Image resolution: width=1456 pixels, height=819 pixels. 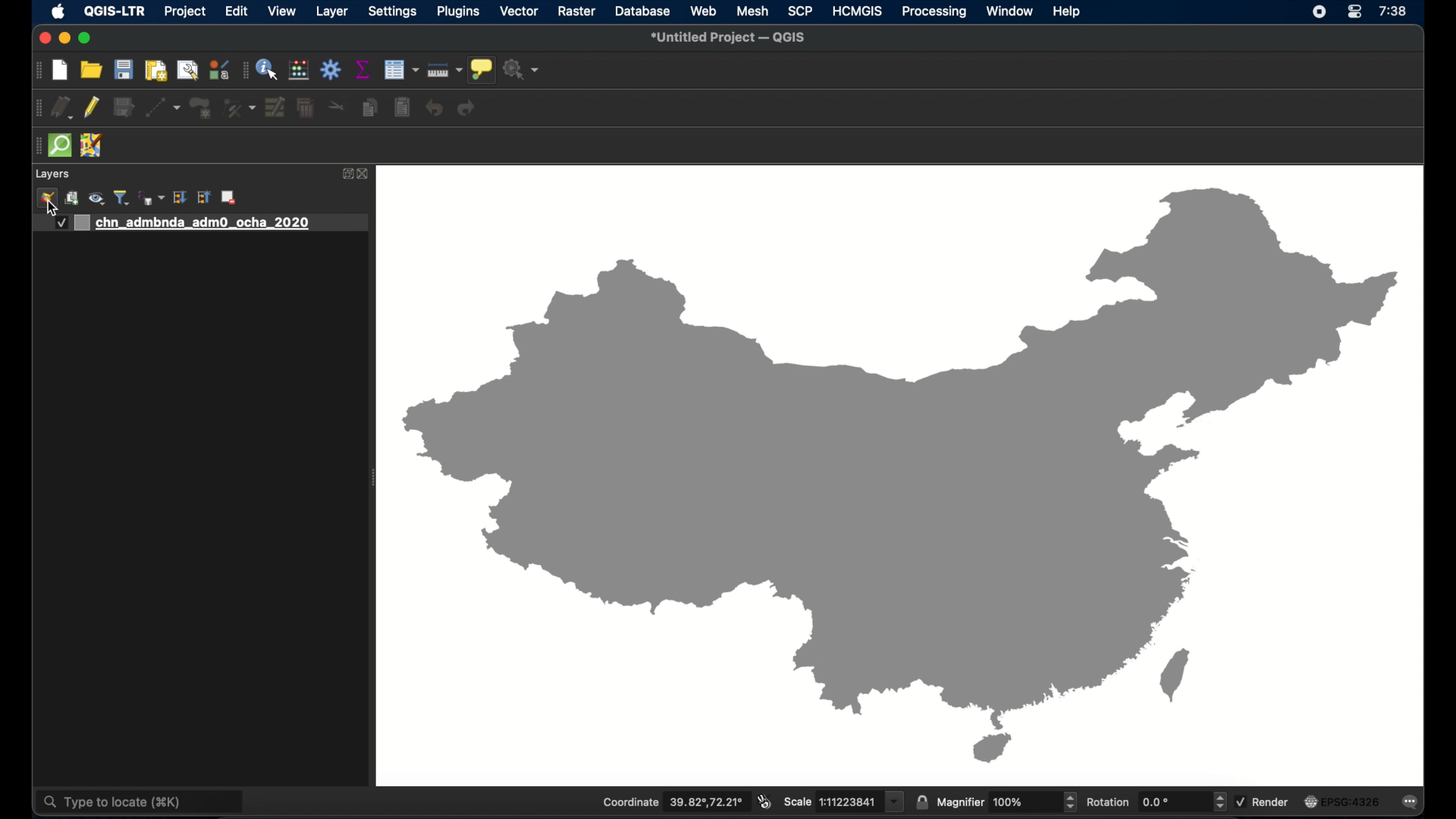 What do you see at coordinates (365, 174) in the screenshot?
I see `close` at bounding box center [365, 174].